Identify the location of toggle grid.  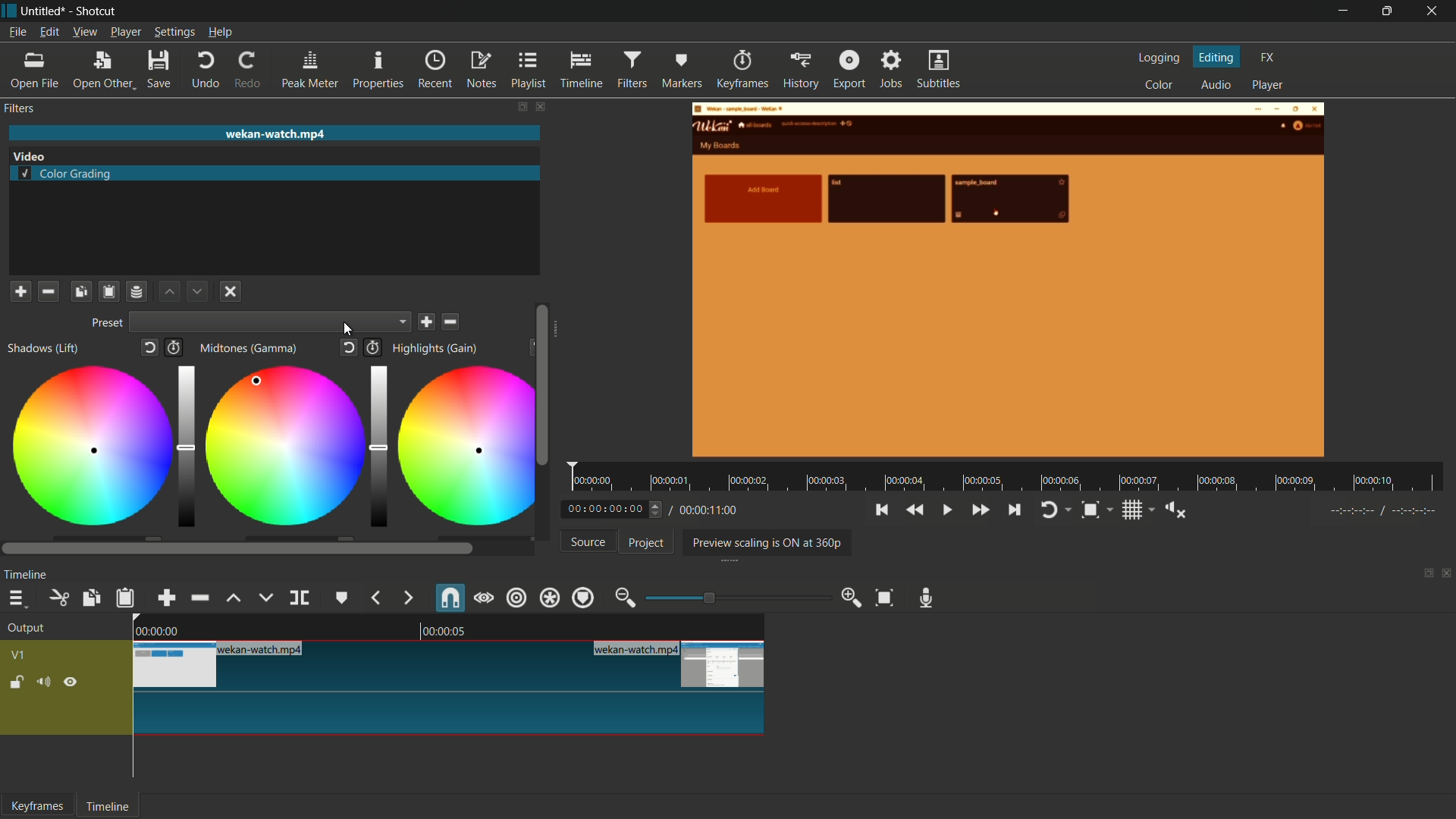
(1139, 510).